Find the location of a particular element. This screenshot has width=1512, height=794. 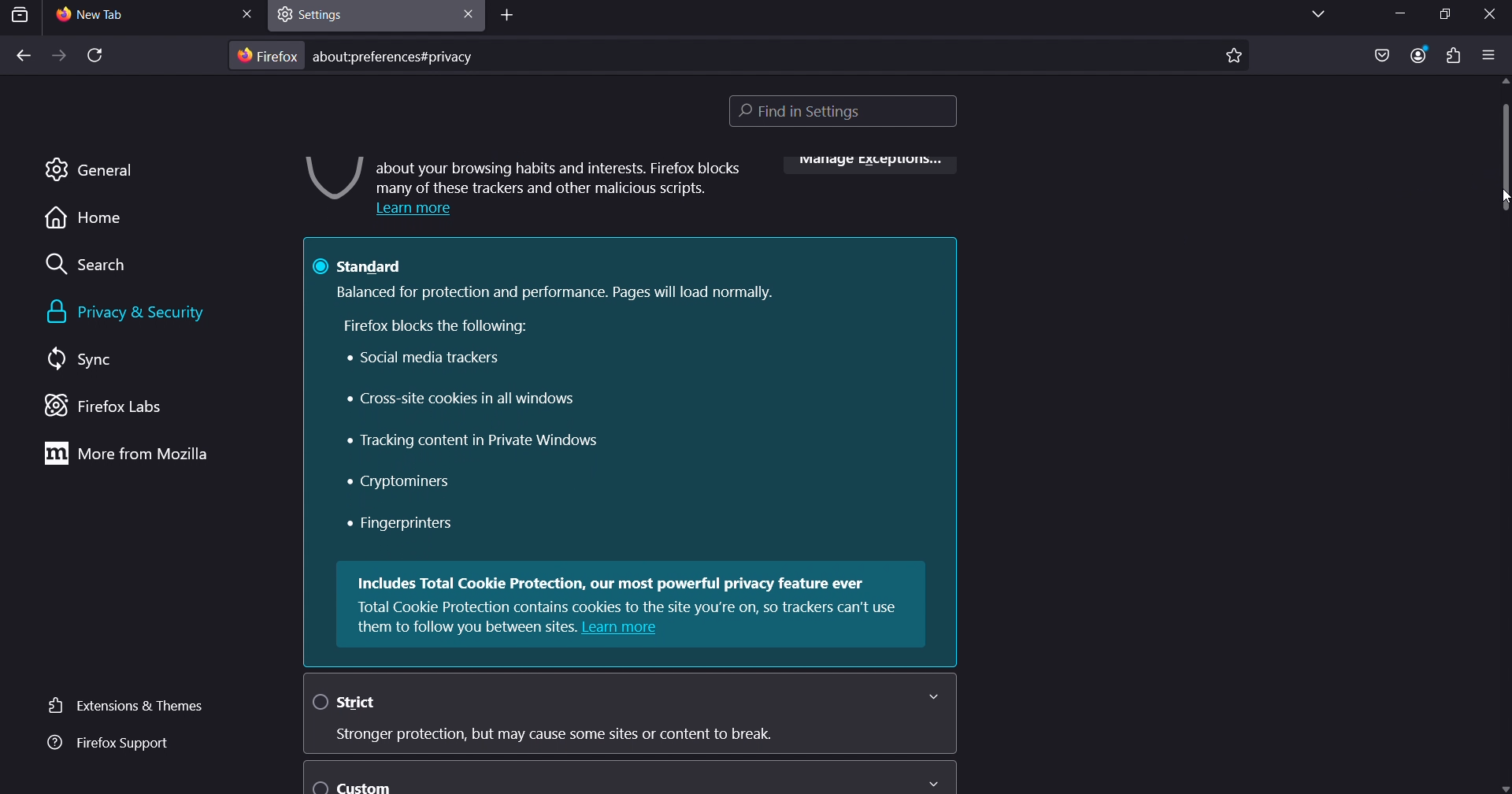

them to follow you between sites. is located at coordinates (465, 629).